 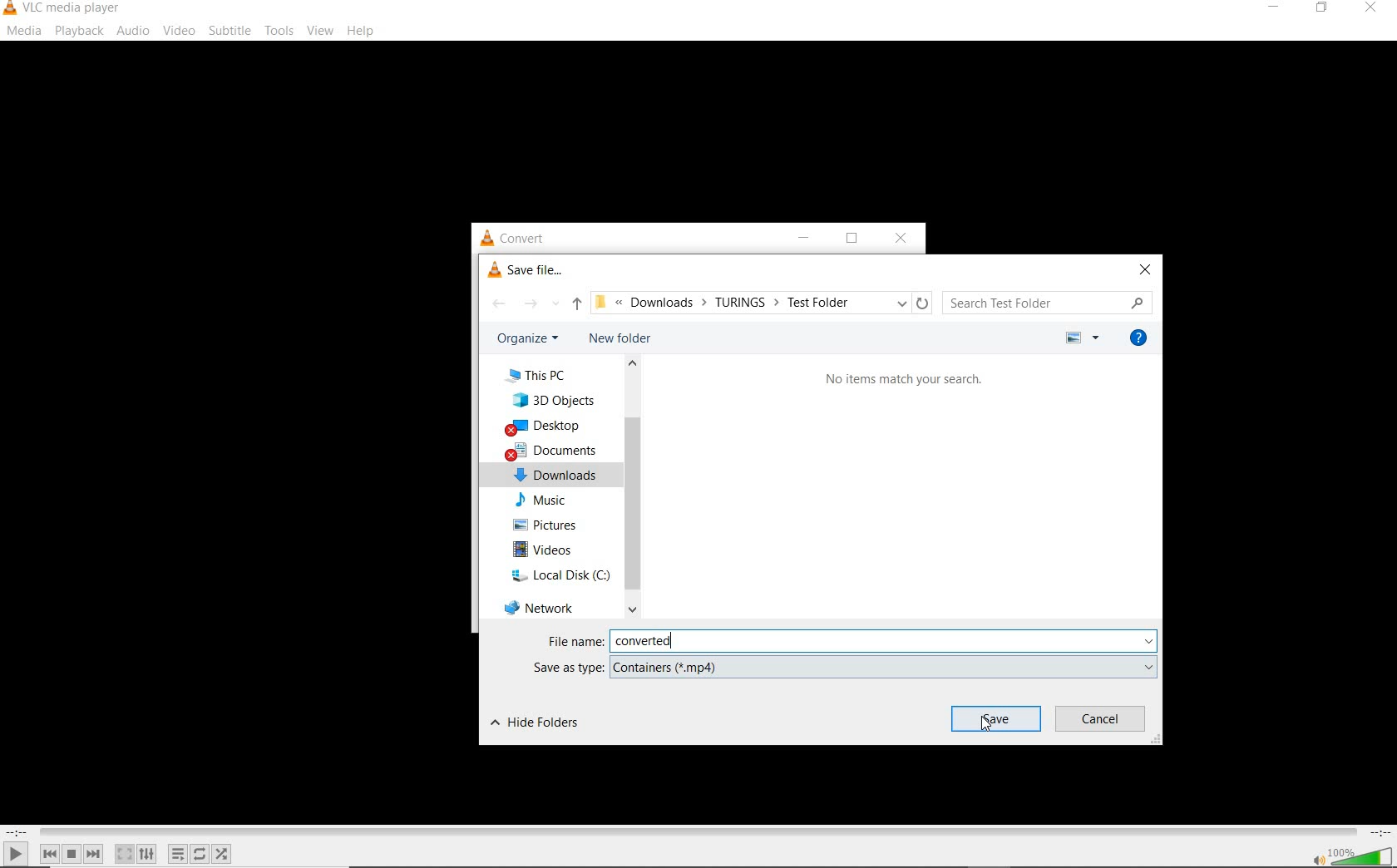 I want to click on cancel, so click(x=1101, y=719).